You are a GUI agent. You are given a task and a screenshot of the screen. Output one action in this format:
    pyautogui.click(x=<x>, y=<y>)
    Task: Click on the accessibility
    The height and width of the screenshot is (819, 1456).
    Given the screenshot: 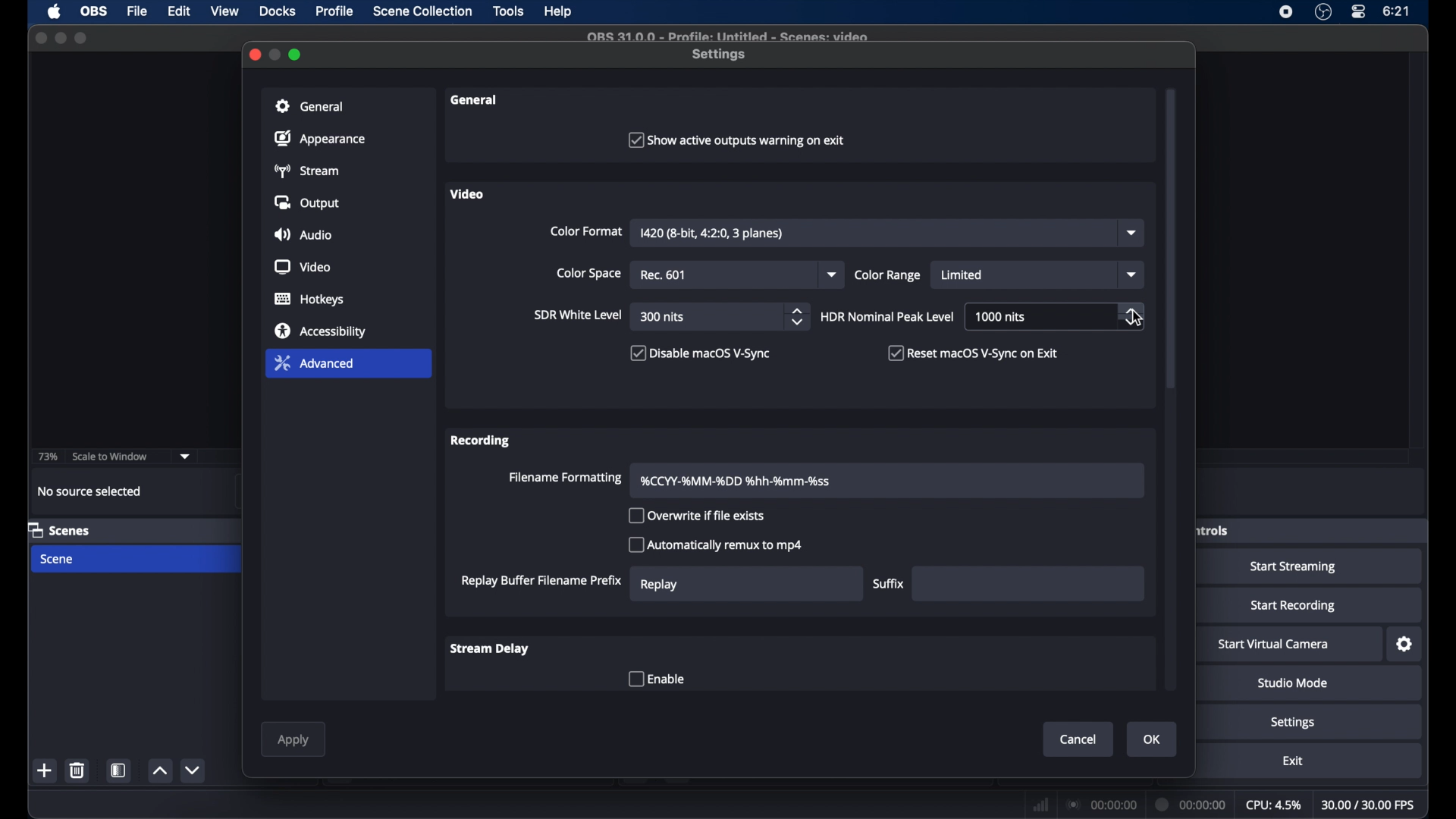 What is the action you would take?
    pyautogui.click(x=322, y=330)
    